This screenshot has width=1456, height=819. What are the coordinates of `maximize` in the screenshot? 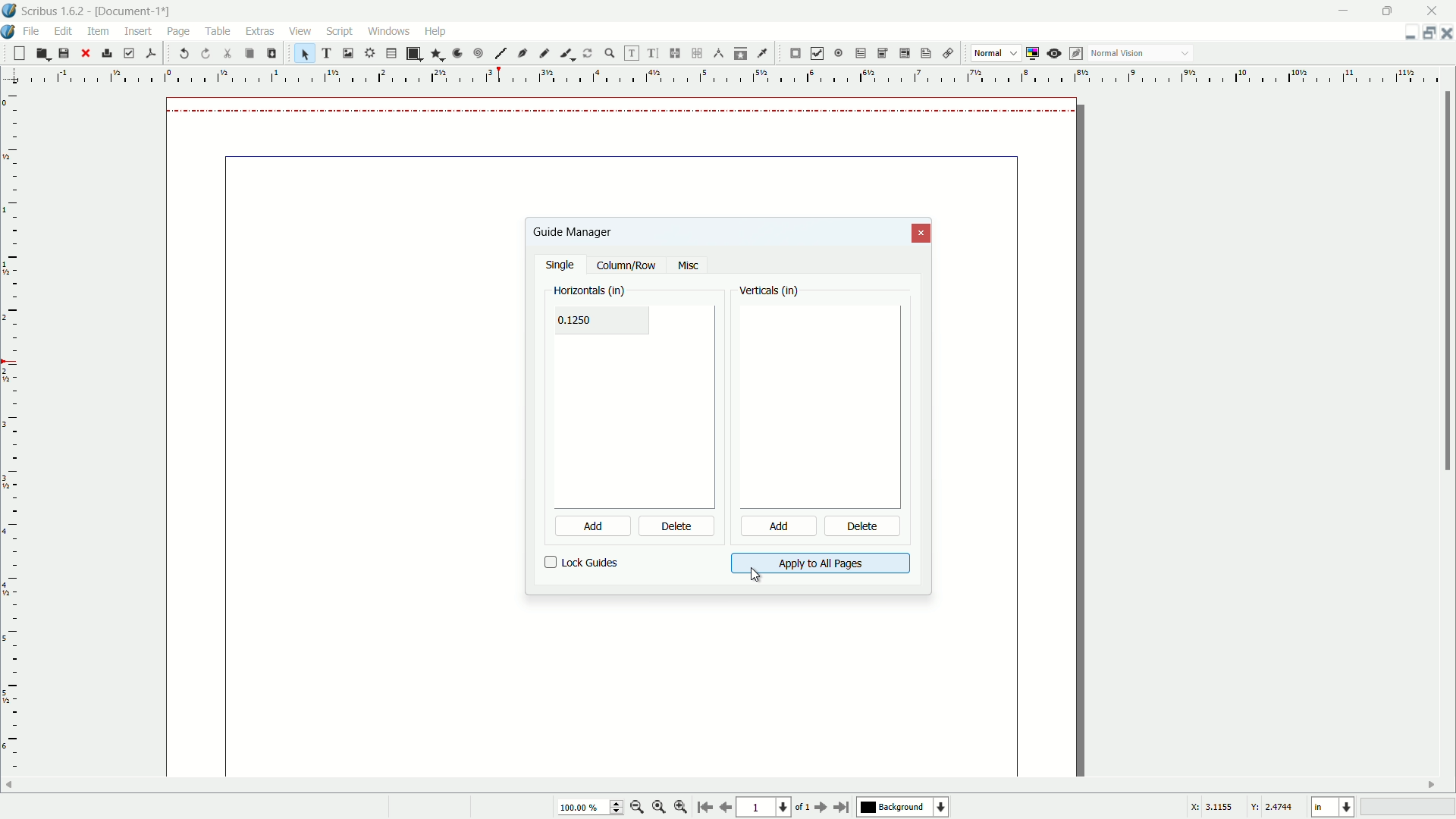 It's located at (1390, 10).